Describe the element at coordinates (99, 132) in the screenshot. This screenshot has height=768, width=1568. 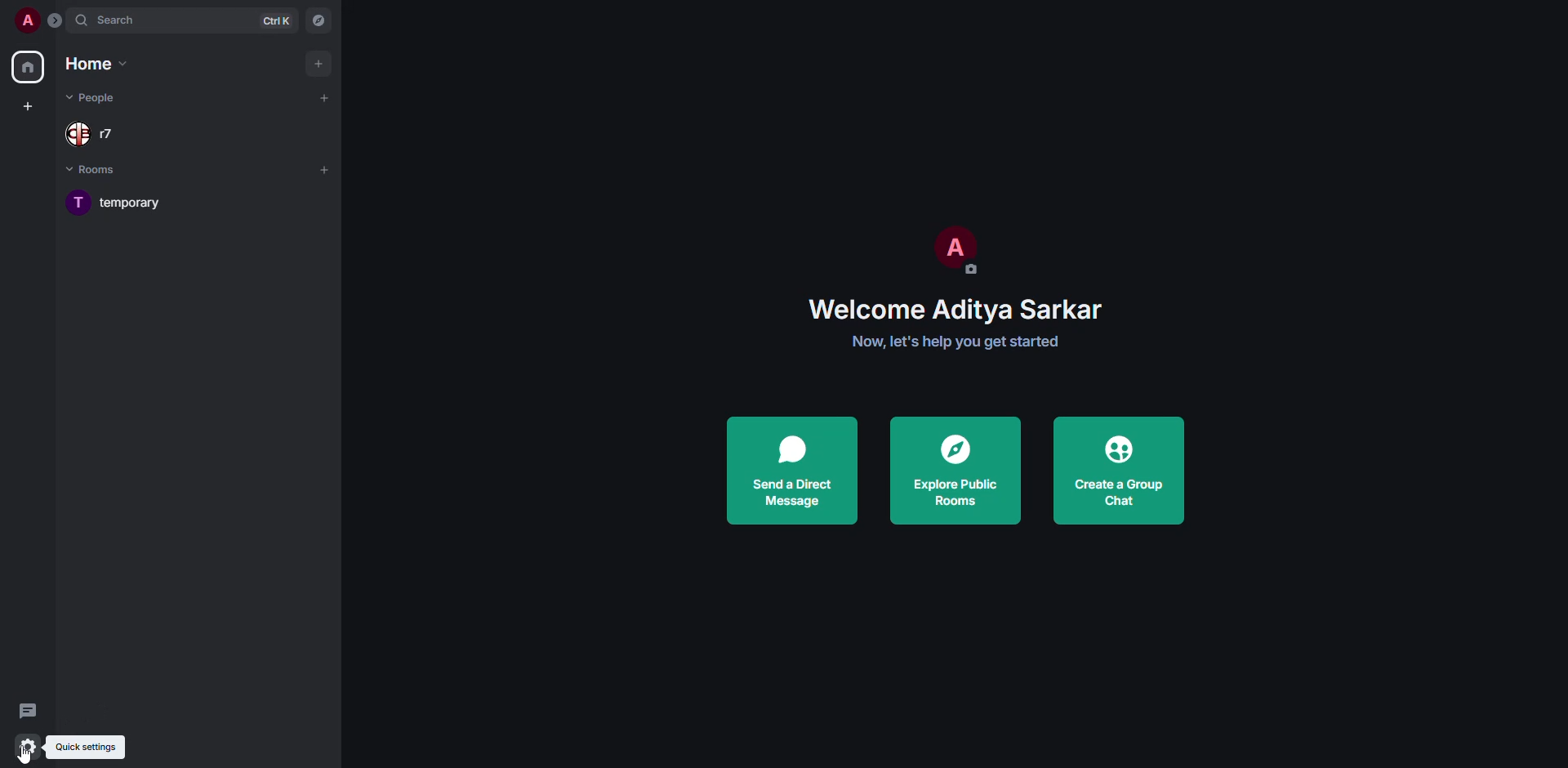
I see `people` at that location.